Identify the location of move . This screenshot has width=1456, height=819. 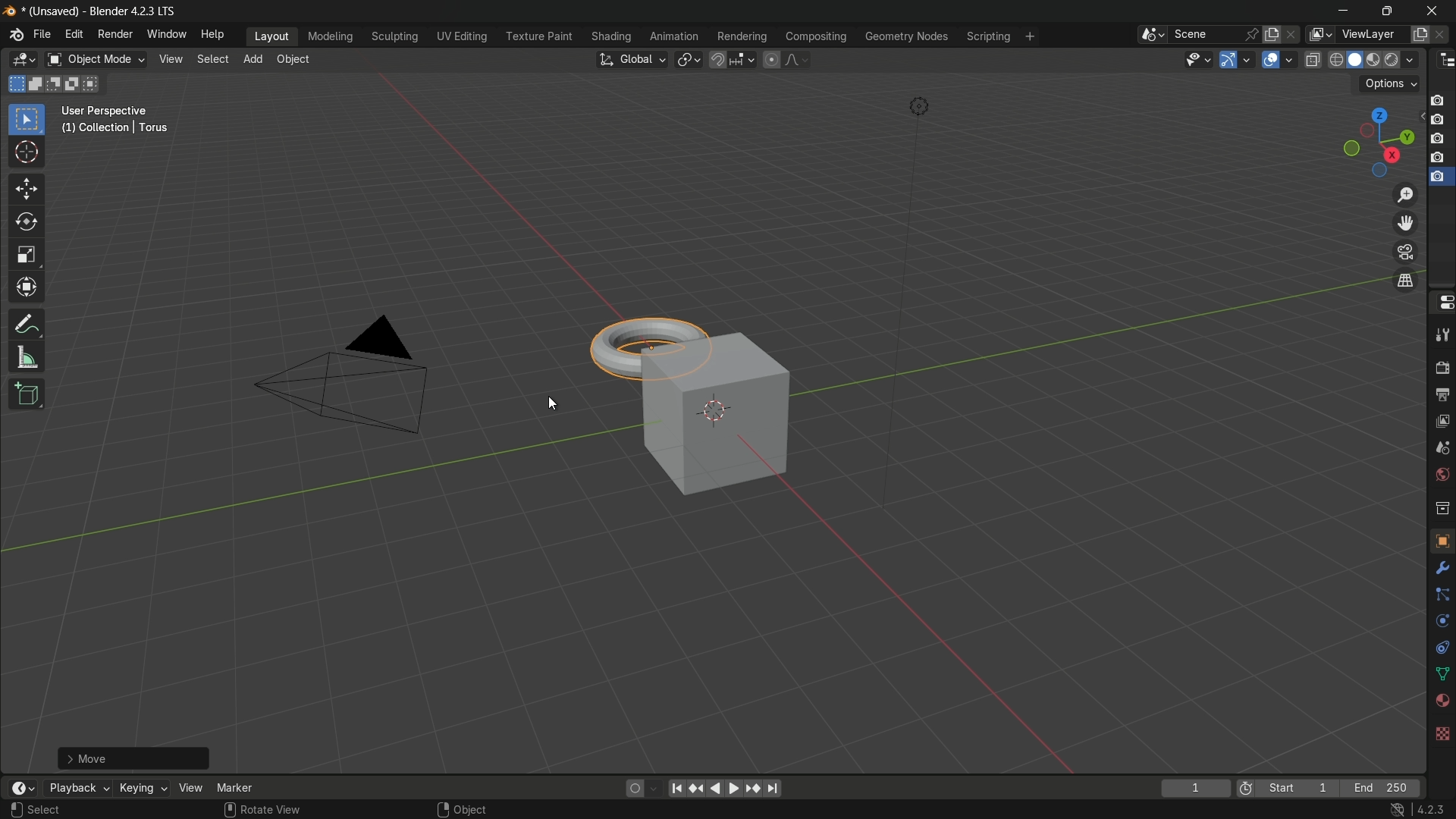
(133, 757).